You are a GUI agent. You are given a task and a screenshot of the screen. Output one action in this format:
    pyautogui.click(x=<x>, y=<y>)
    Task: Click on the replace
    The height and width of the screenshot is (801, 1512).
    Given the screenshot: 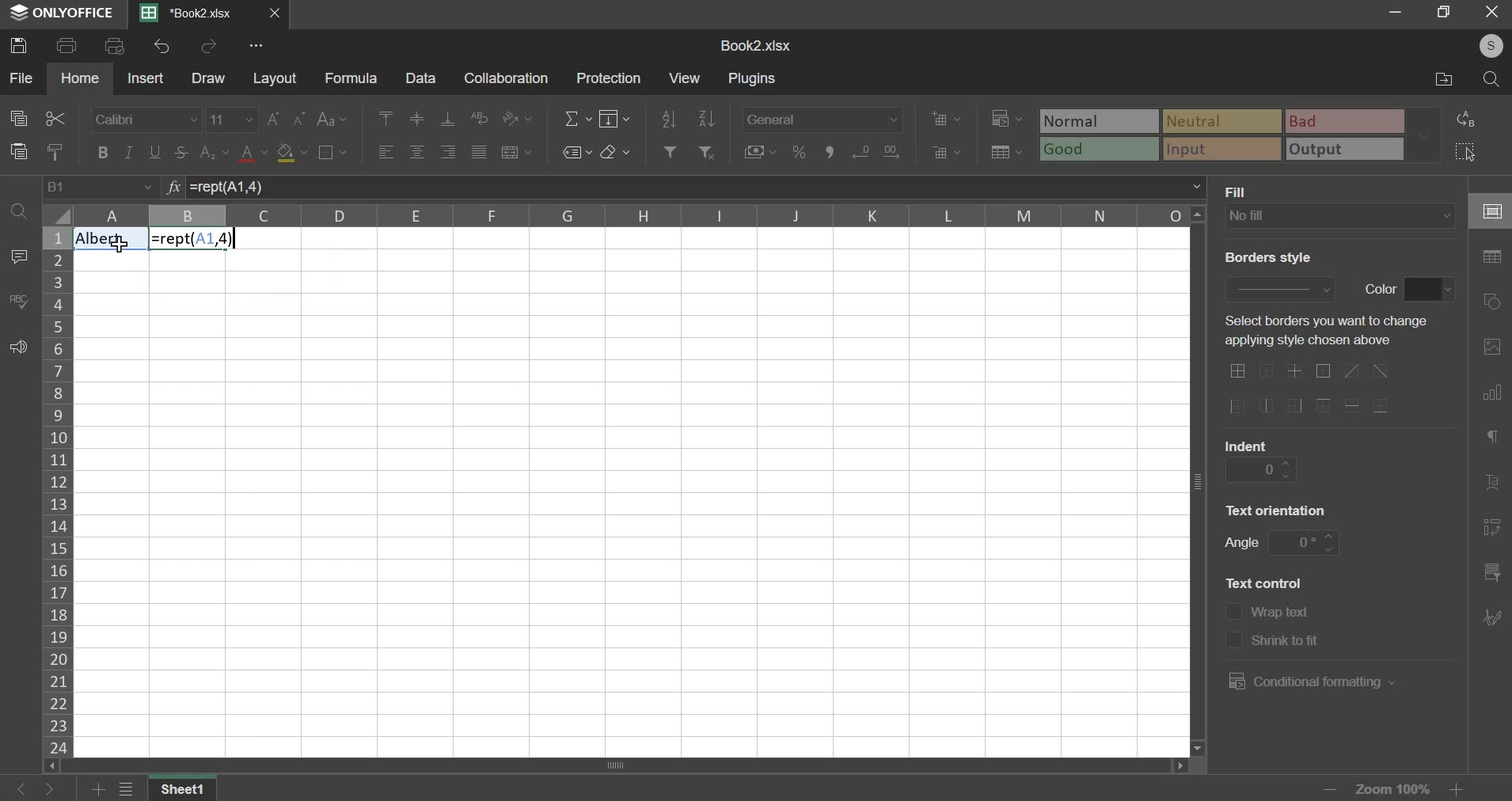 What is the action you would take?
    pyautogui.click(x=1471, y=120)
    